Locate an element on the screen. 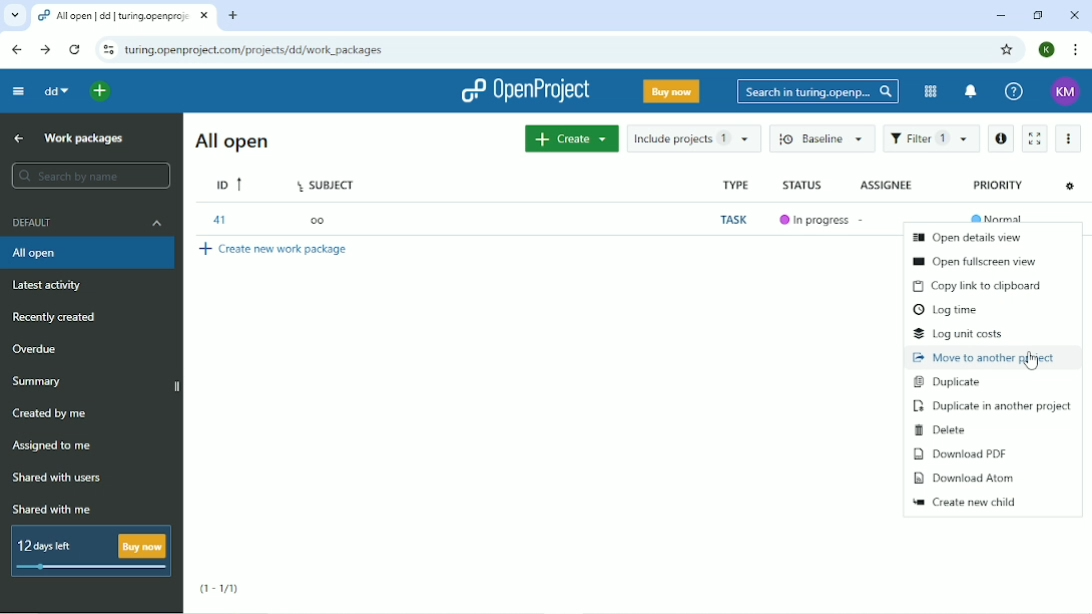  Open quick add menu is located at coordinates (101, 93).